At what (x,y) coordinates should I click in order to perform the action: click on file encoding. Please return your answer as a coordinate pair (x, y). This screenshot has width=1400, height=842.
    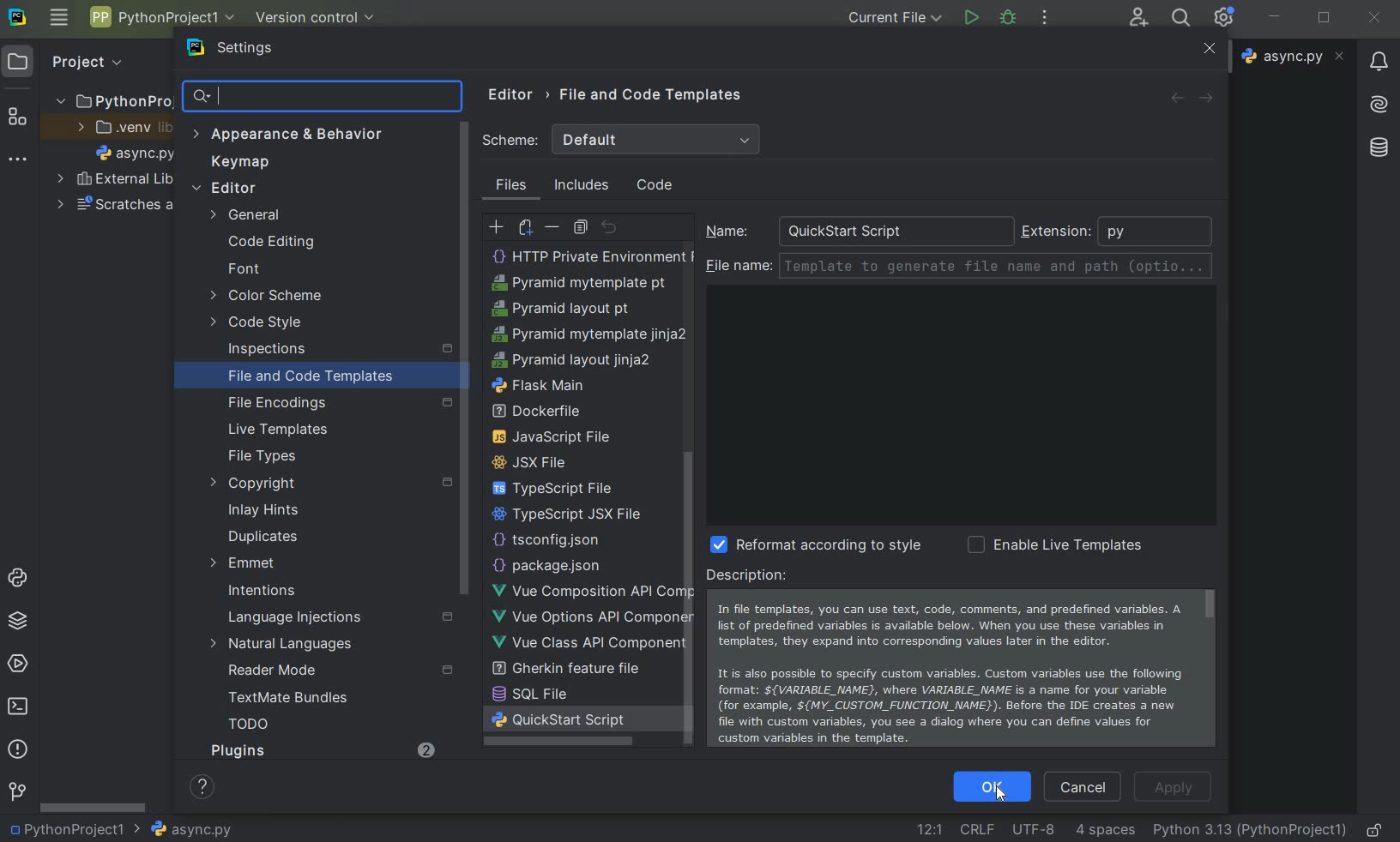
    Looking at the image, I should click on (327, 405).